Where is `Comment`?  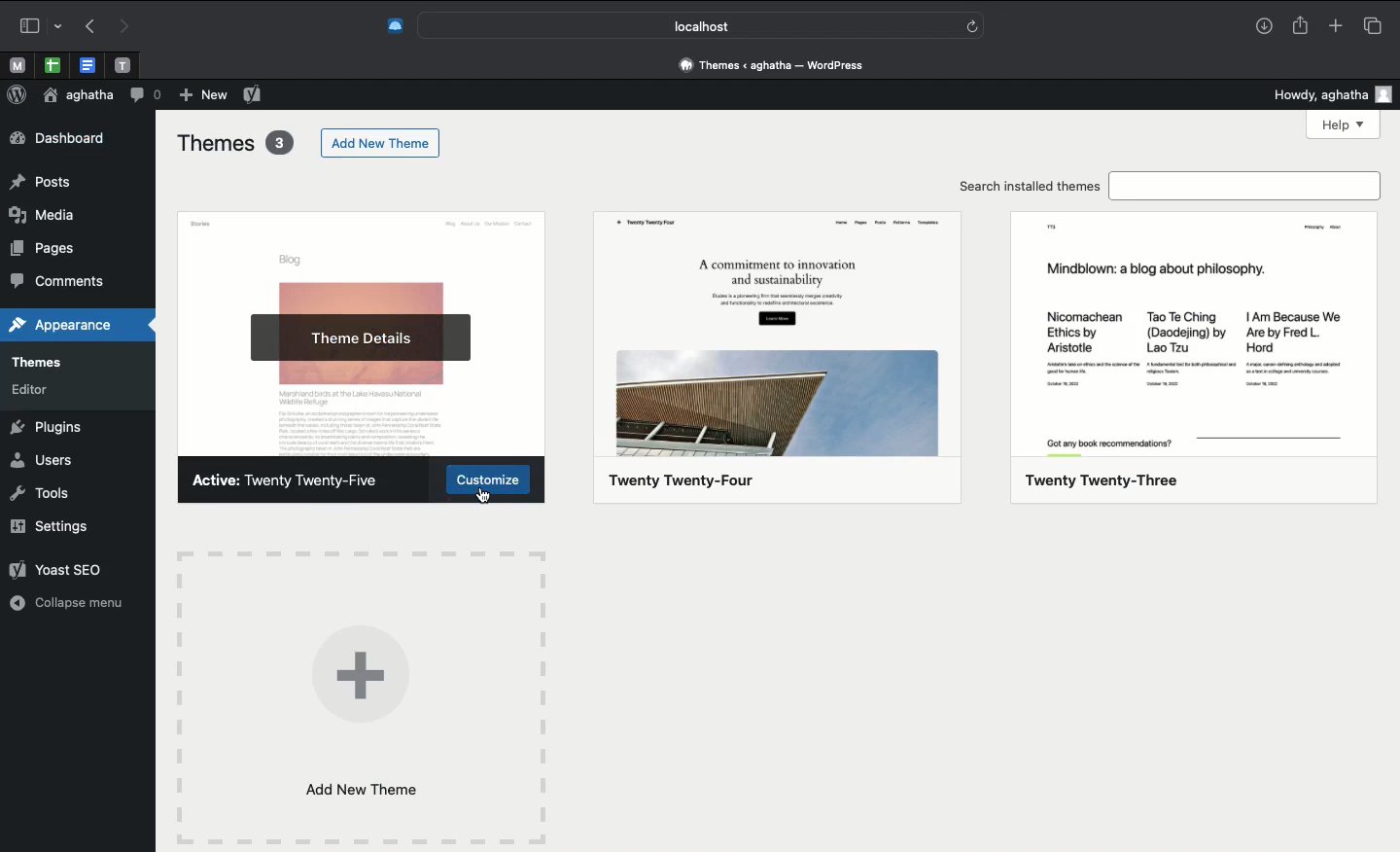
Comment is located at coordinates (141, 95).